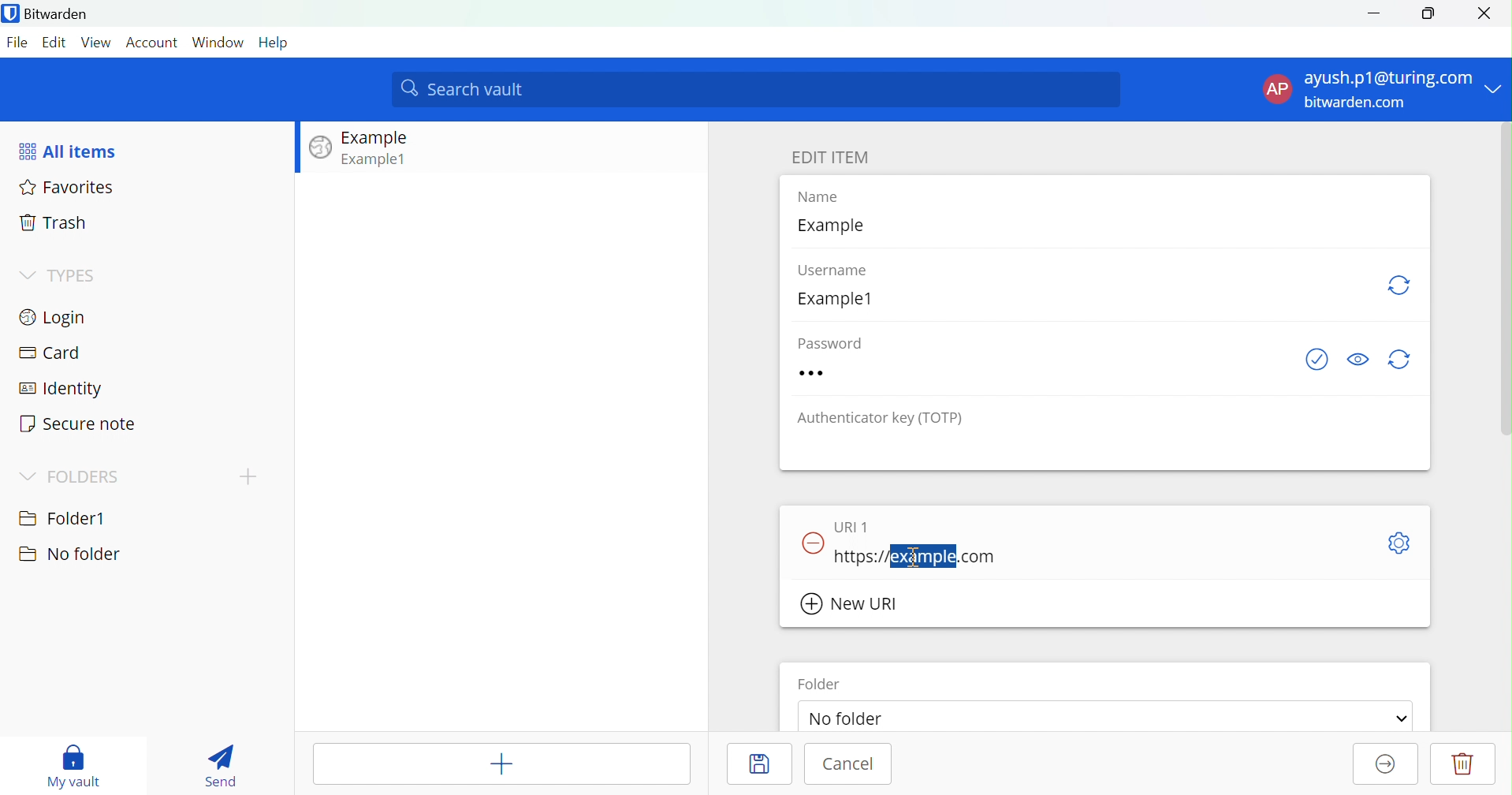  Describe the element at coordinates (843, 299) in the screenshot. I see `Example1` at that location.